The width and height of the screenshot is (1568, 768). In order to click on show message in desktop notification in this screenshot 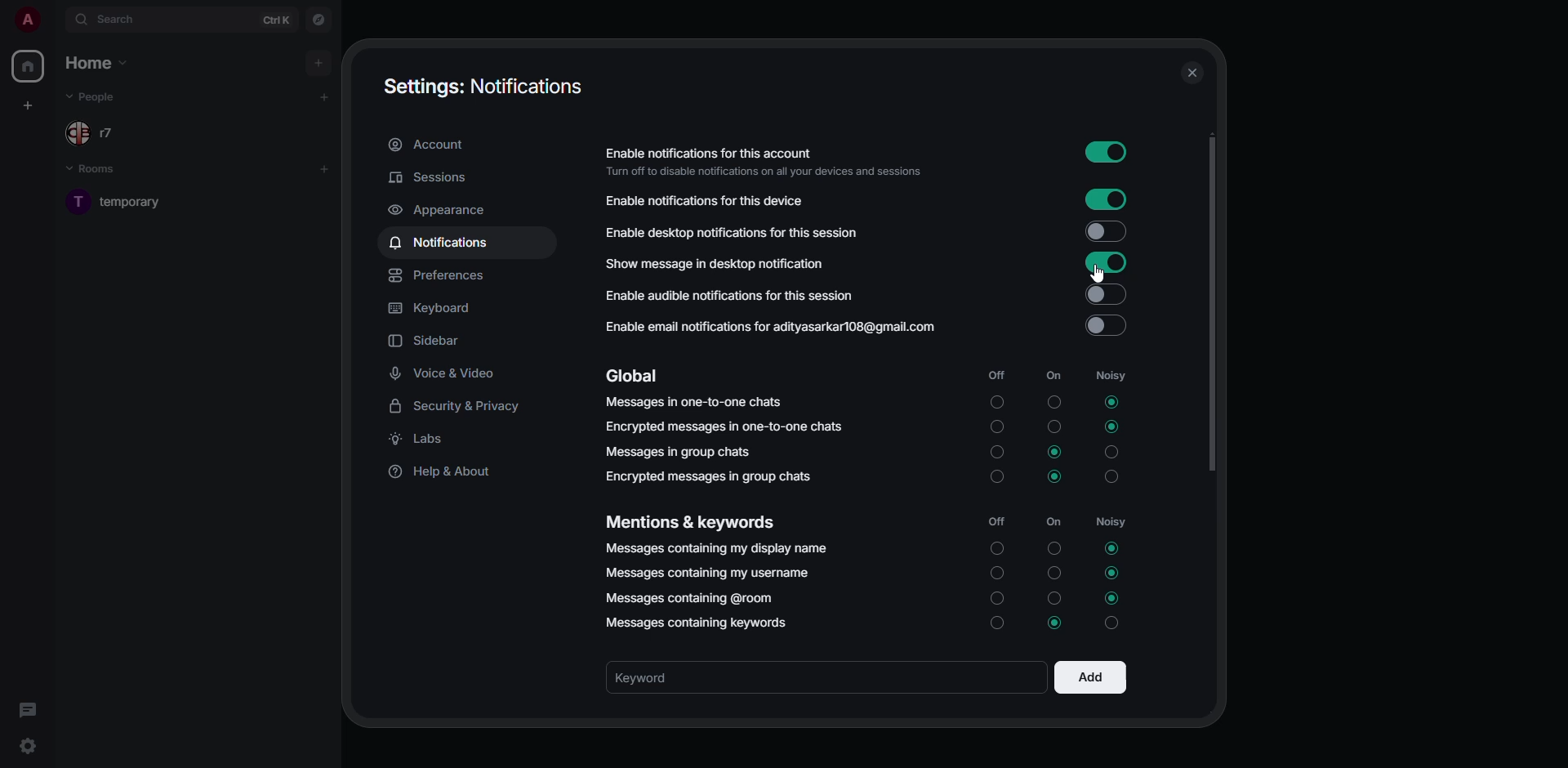, I will do `click(714, 265)`.